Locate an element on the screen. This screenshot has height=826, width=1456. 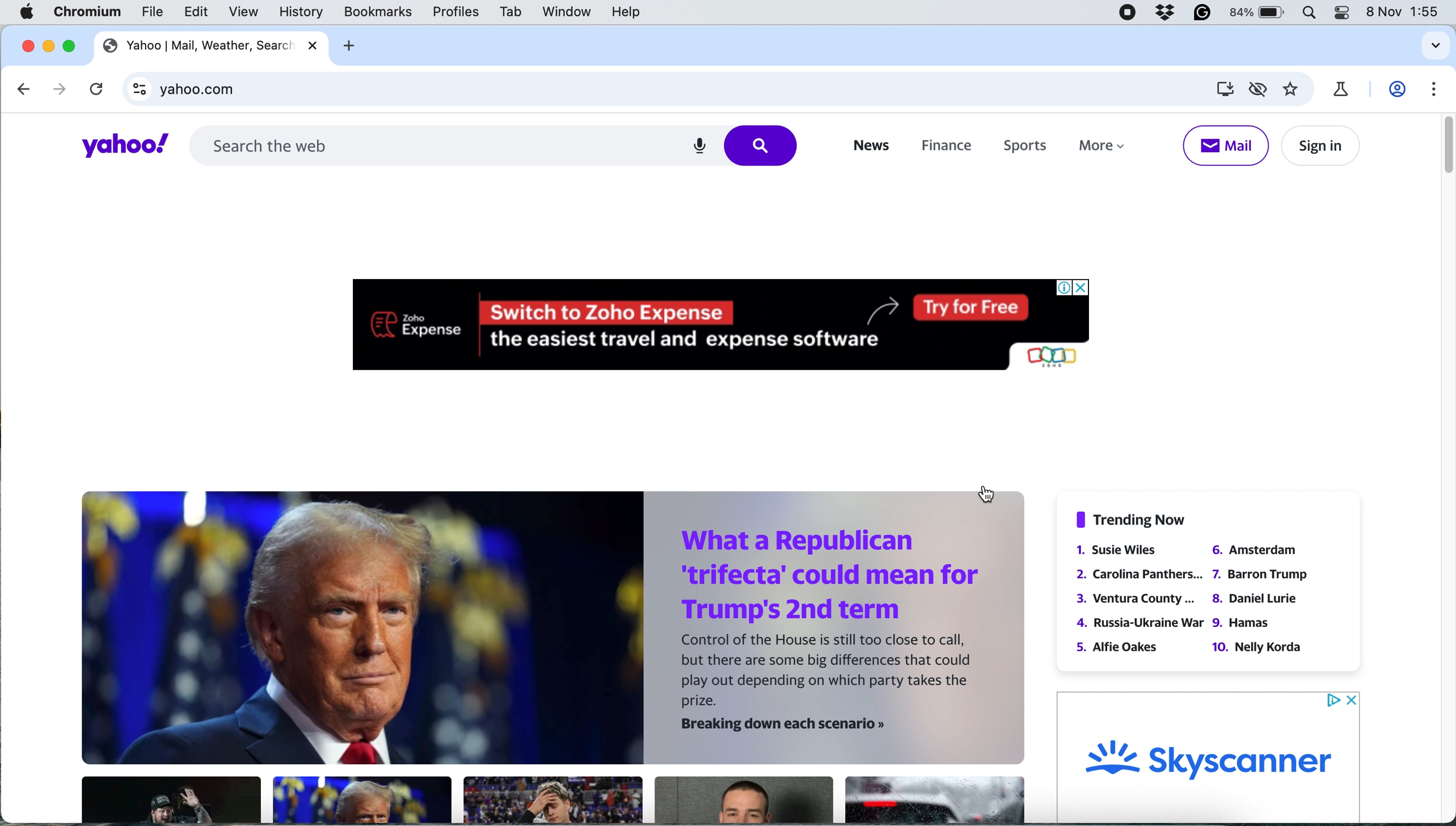
search bar is located at coordinates (427, 144).